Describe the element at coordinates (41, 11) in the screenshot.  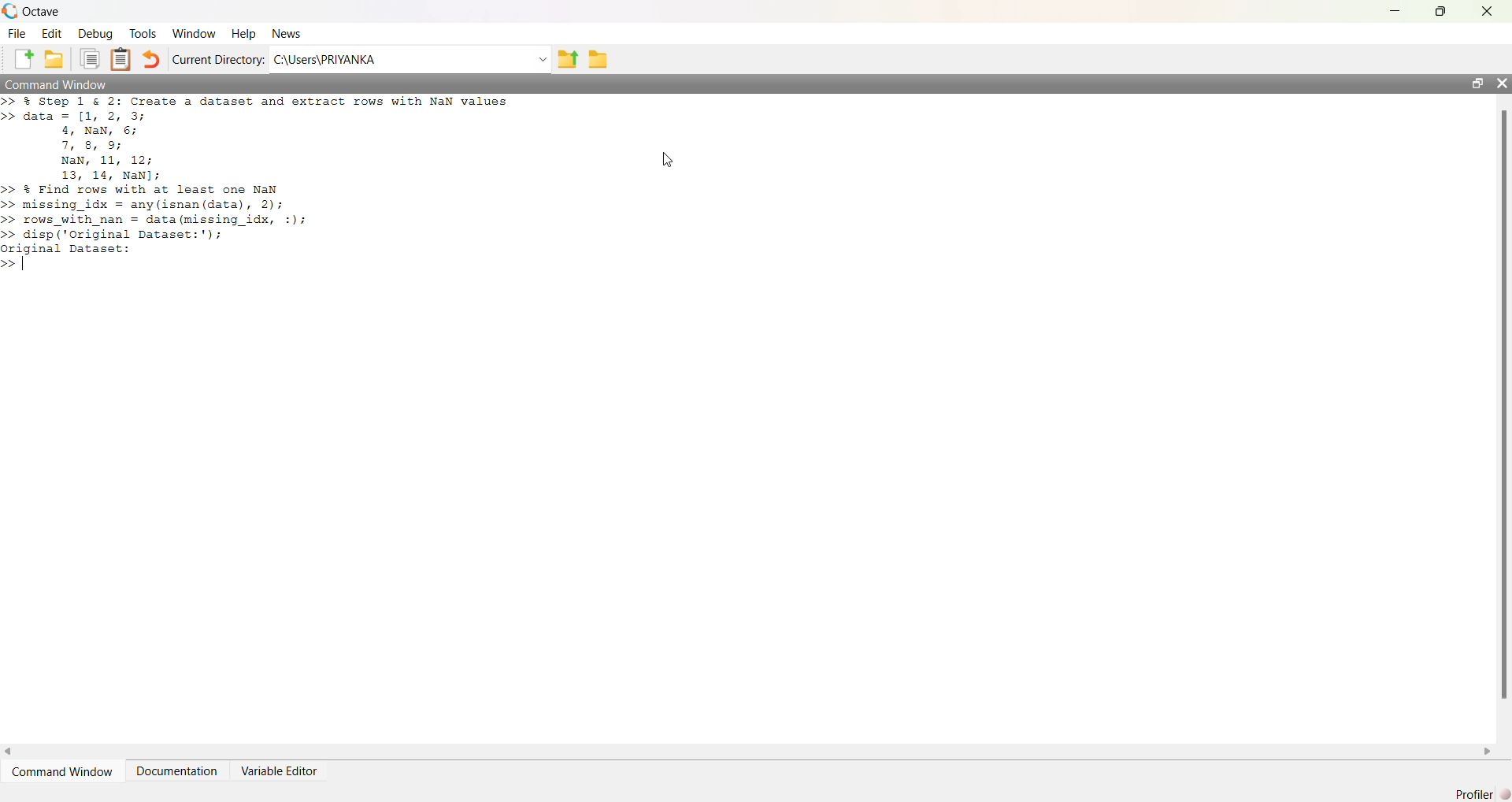
I see `Octave` at that location.